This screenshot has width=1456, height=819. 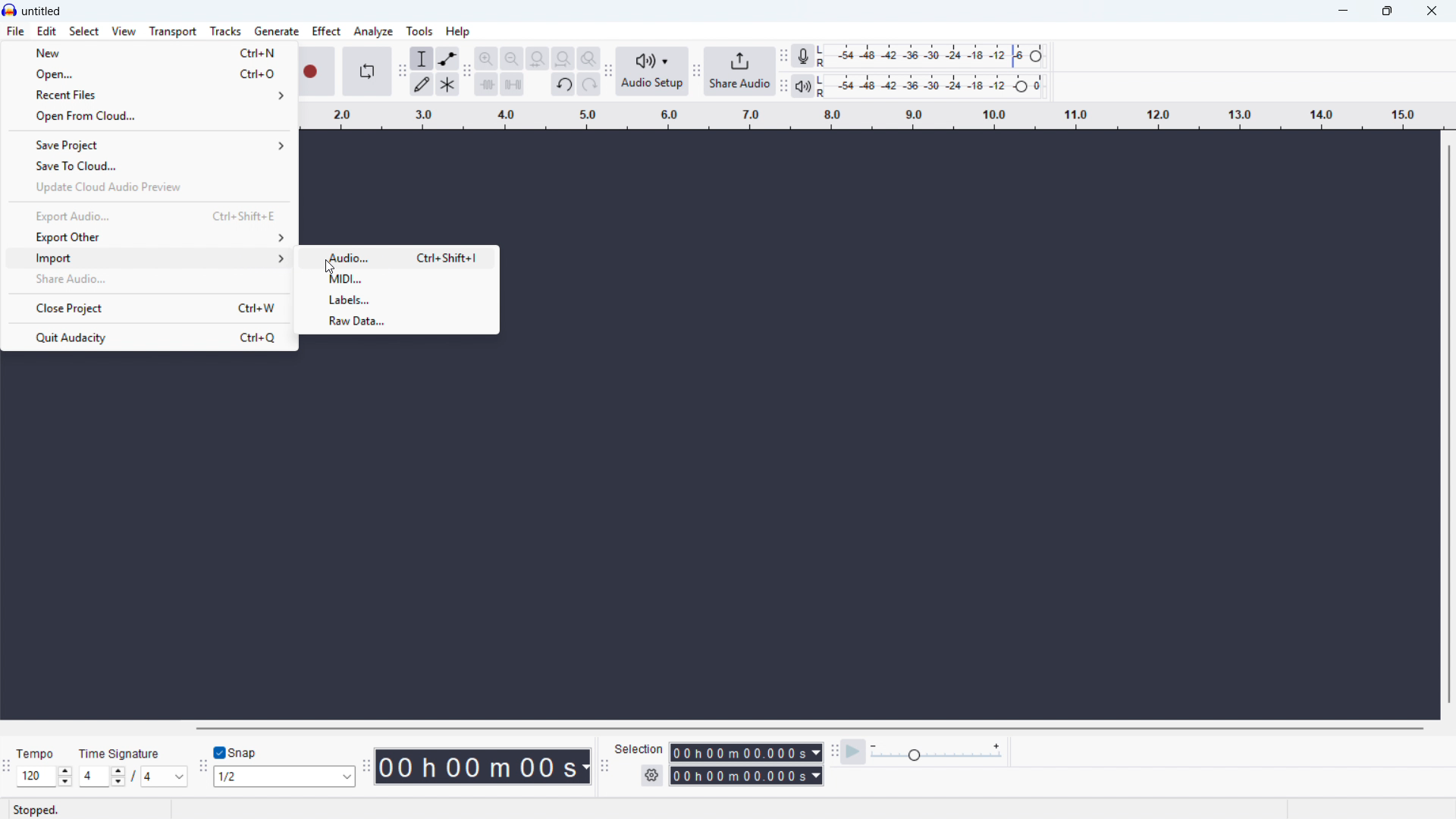 What do you see at coordinates (563, 85) in the screenshot?
I see `Undo` at bounding box center [563, 85].